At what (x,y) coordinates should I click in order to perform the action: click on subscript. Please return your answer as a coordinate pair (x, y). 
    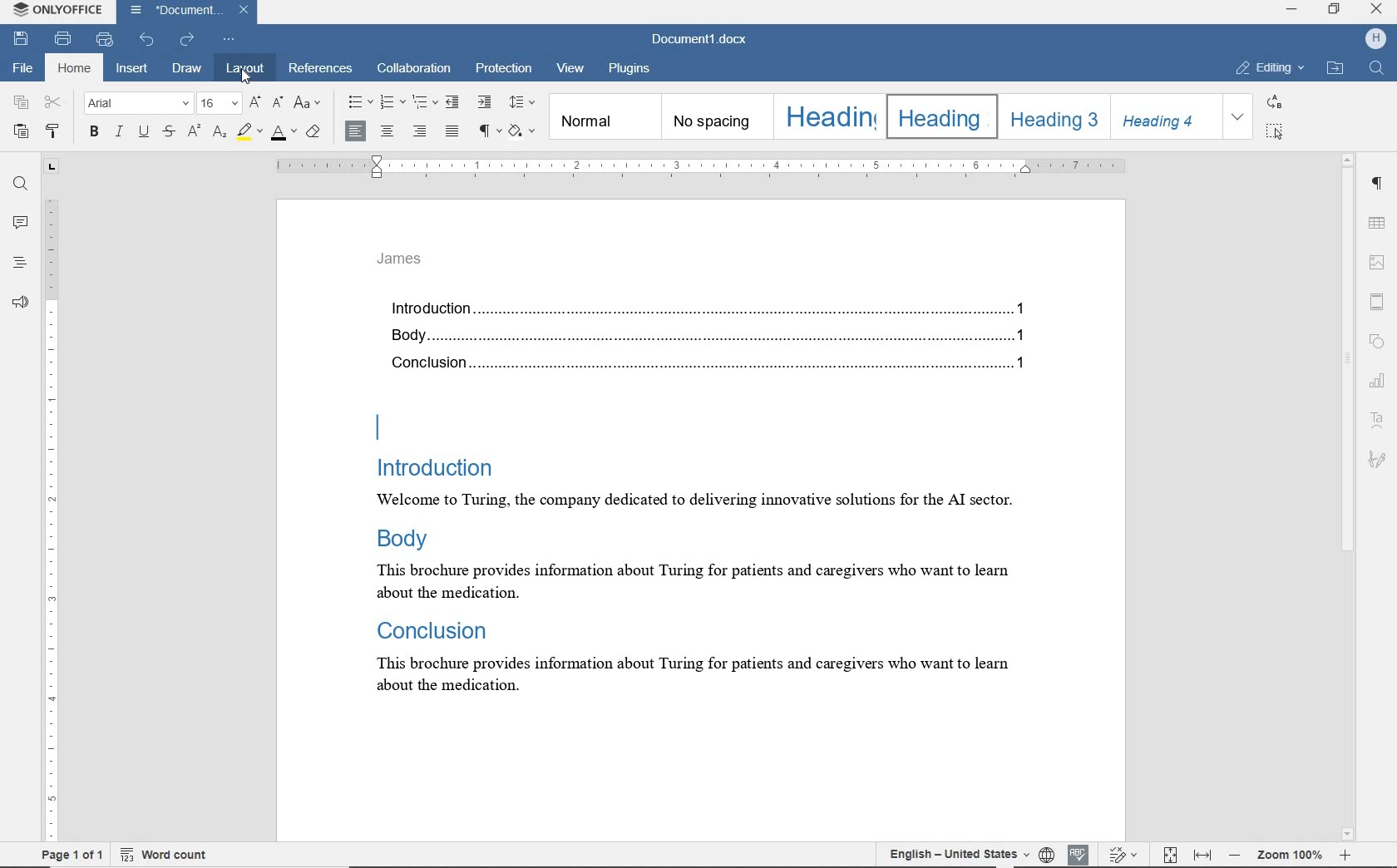
    Looking at the image, I should click on (219, 132).